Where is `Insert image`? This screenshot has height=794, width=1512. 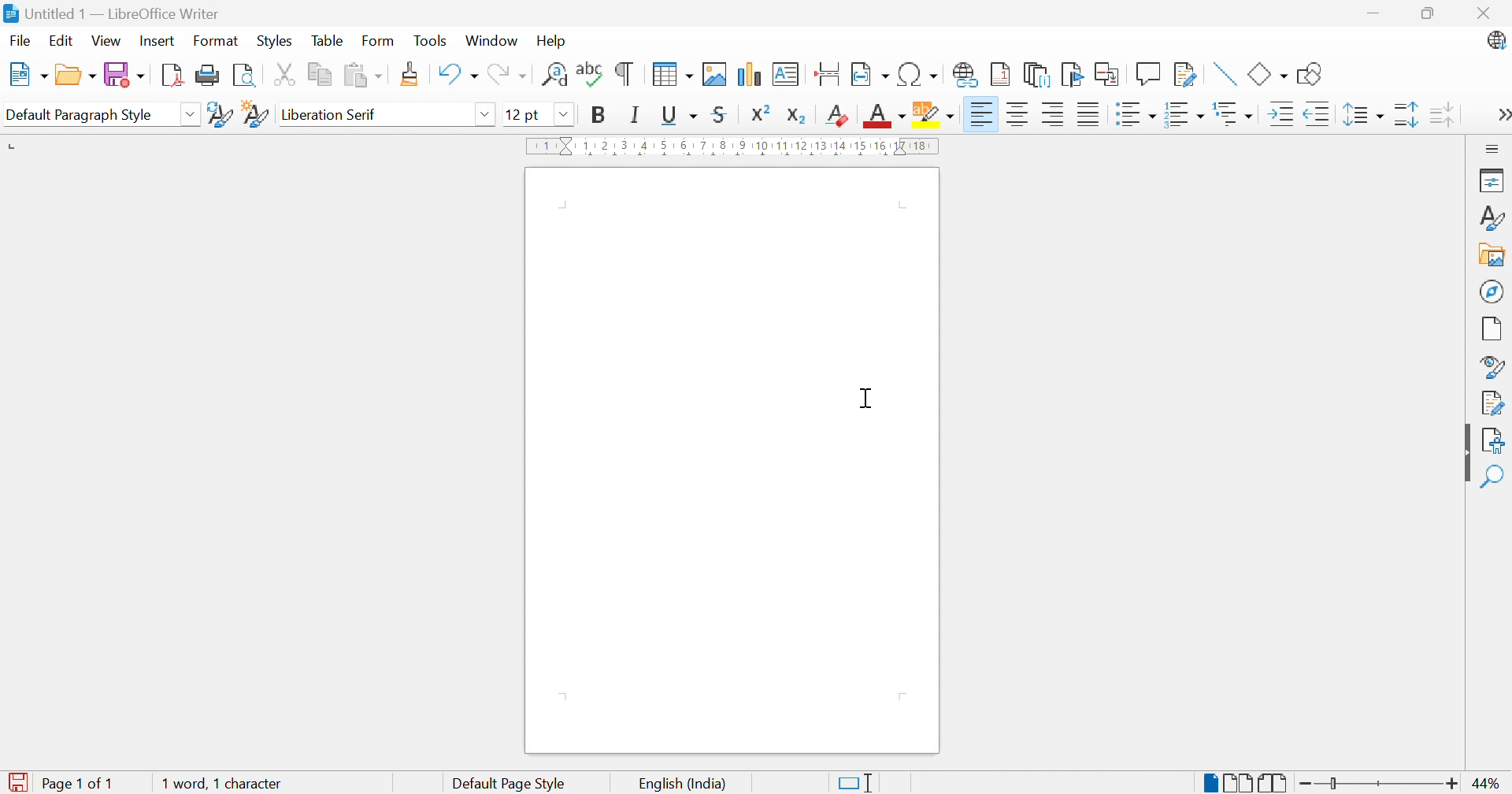 Insert image is located at coordinates (716, 74).